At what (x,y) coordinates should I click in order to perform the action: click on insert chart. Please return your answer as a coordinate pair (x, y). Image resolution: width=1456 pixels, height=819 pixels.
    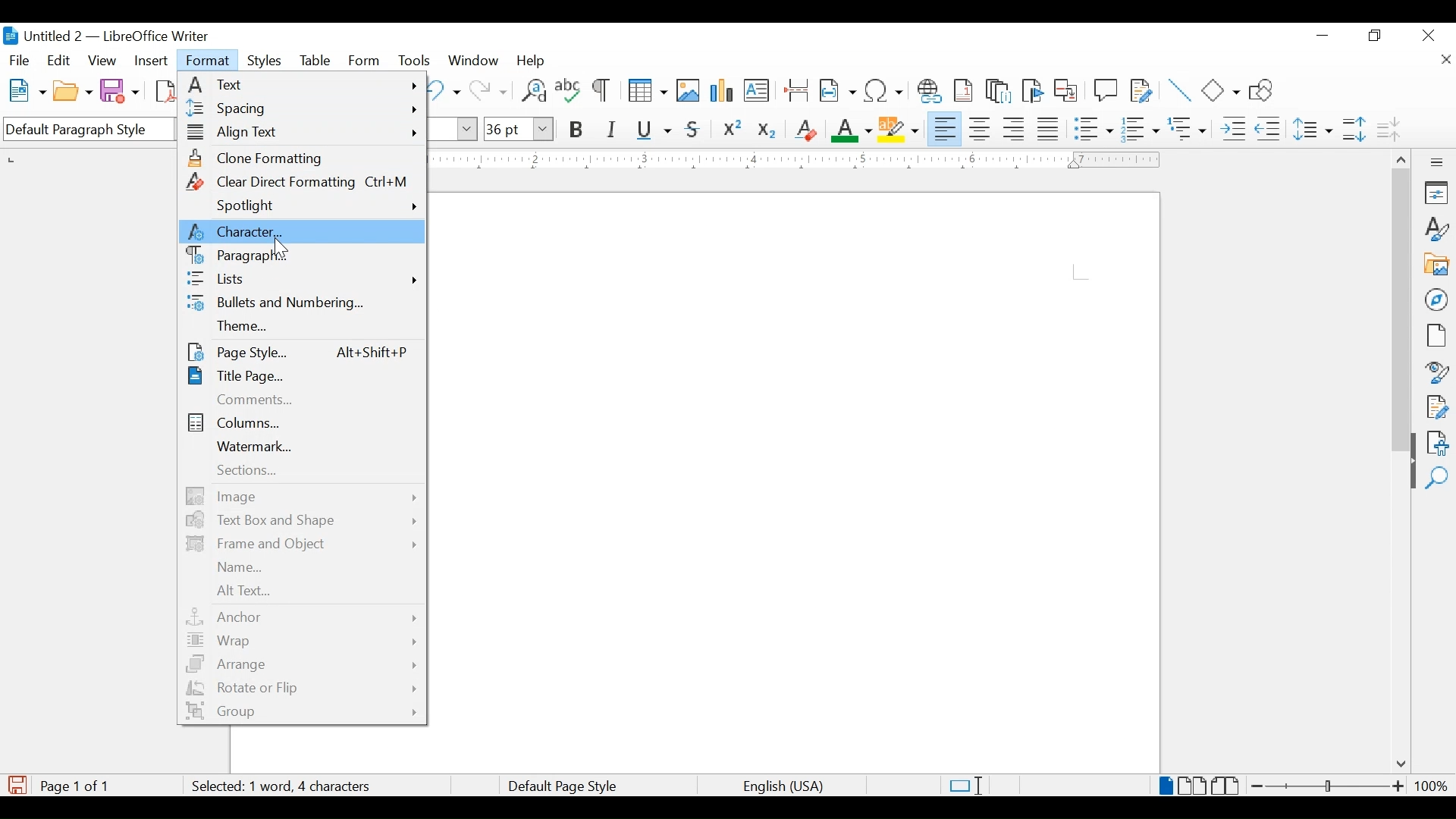
    Looking at the image, I should click on (723, 92).